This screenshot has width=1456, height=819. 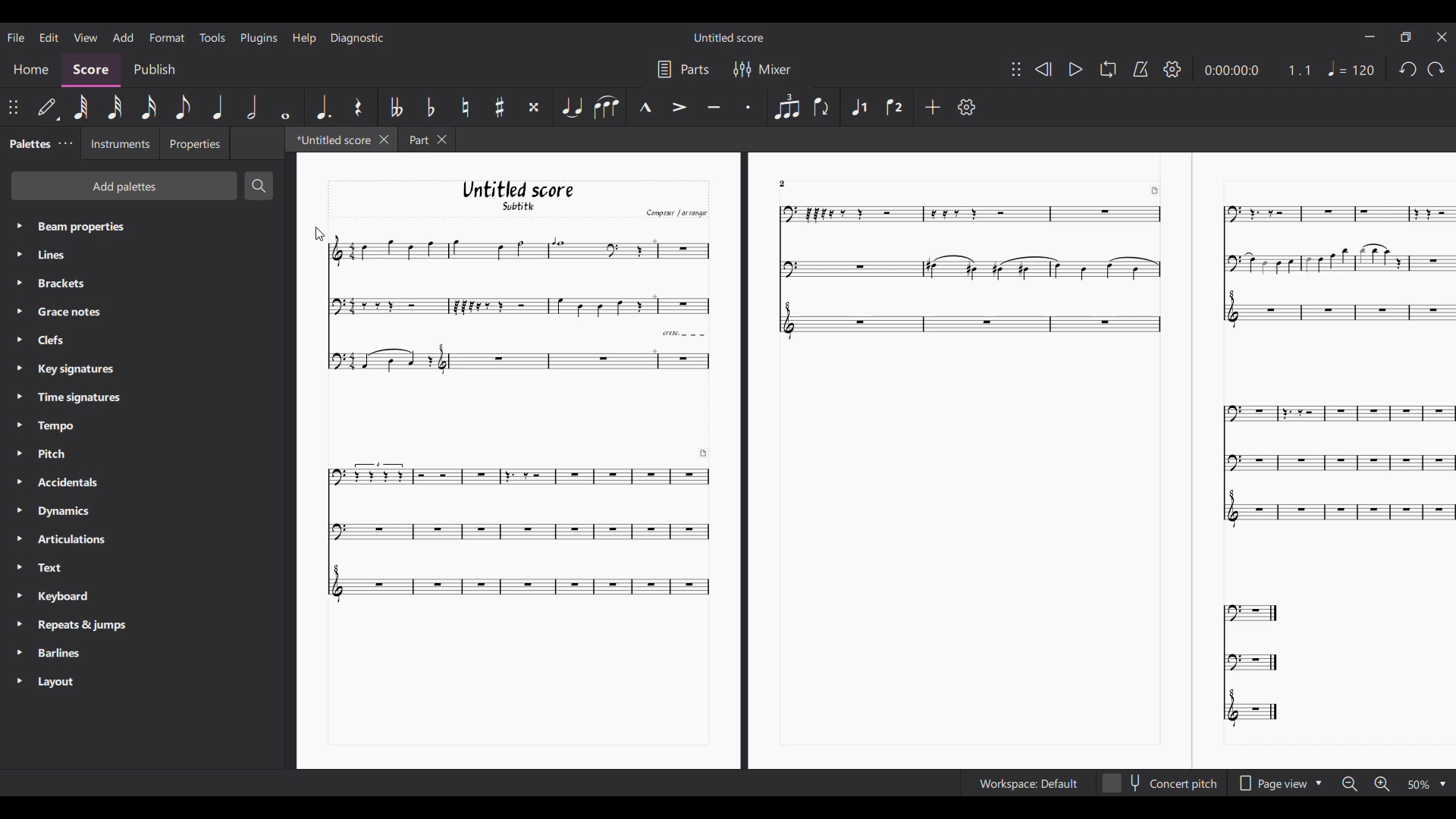 I want to click on Tie, so click(x=571, y=107).